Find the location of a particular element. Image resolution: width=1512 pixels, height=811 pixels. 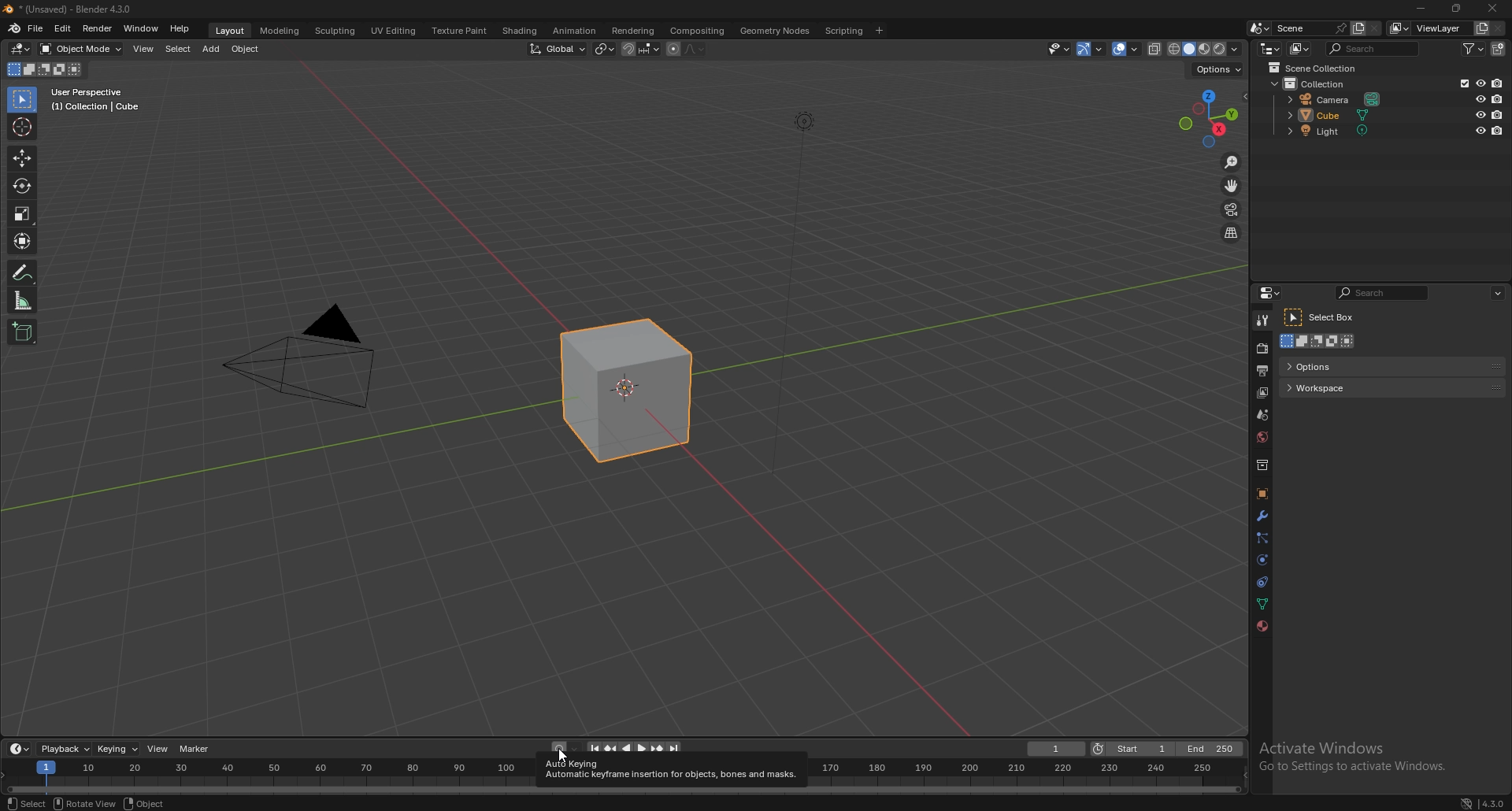

Maximize is located at coordinates (1458, 9).